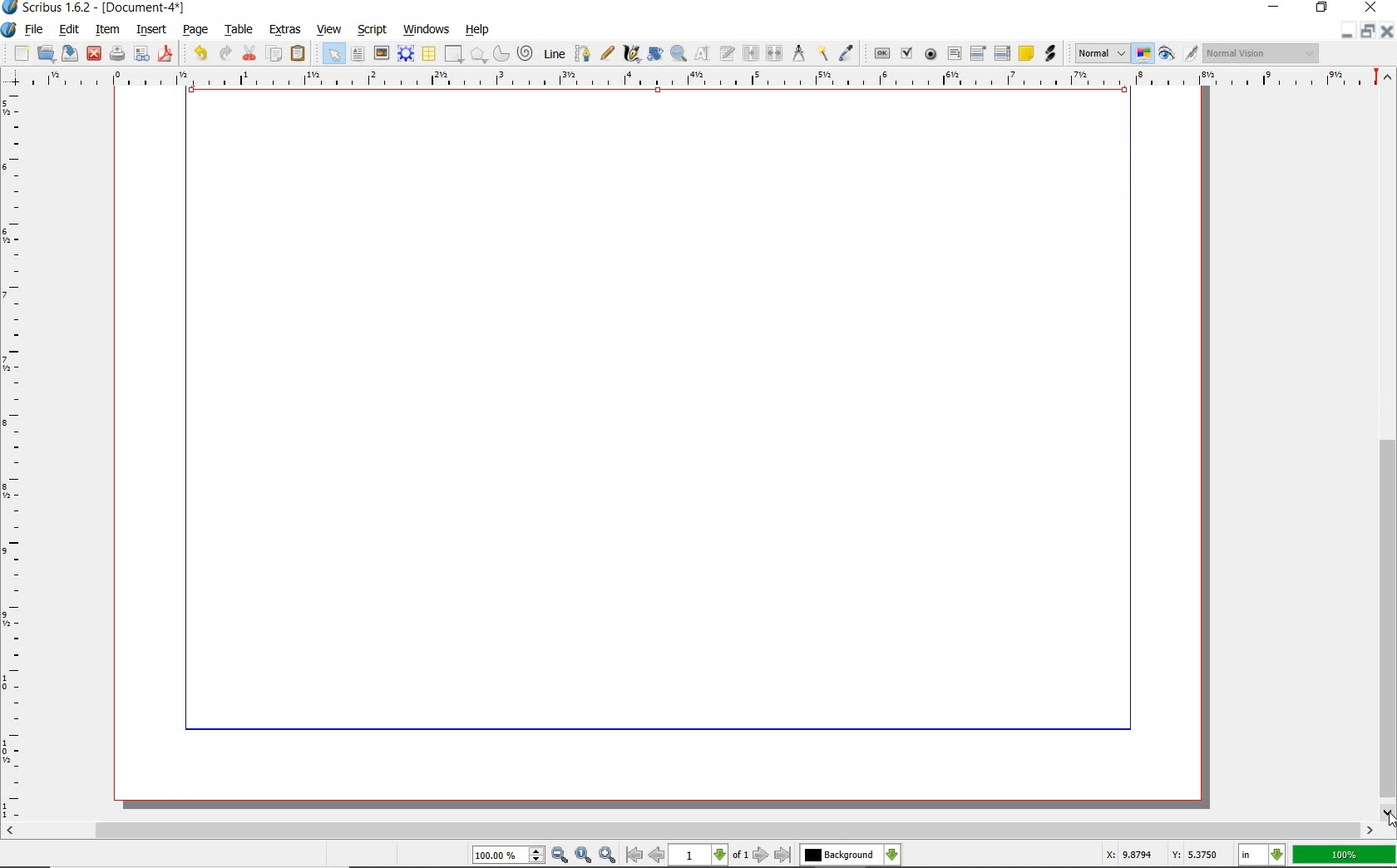  I want to click on help, so click(479, 31).